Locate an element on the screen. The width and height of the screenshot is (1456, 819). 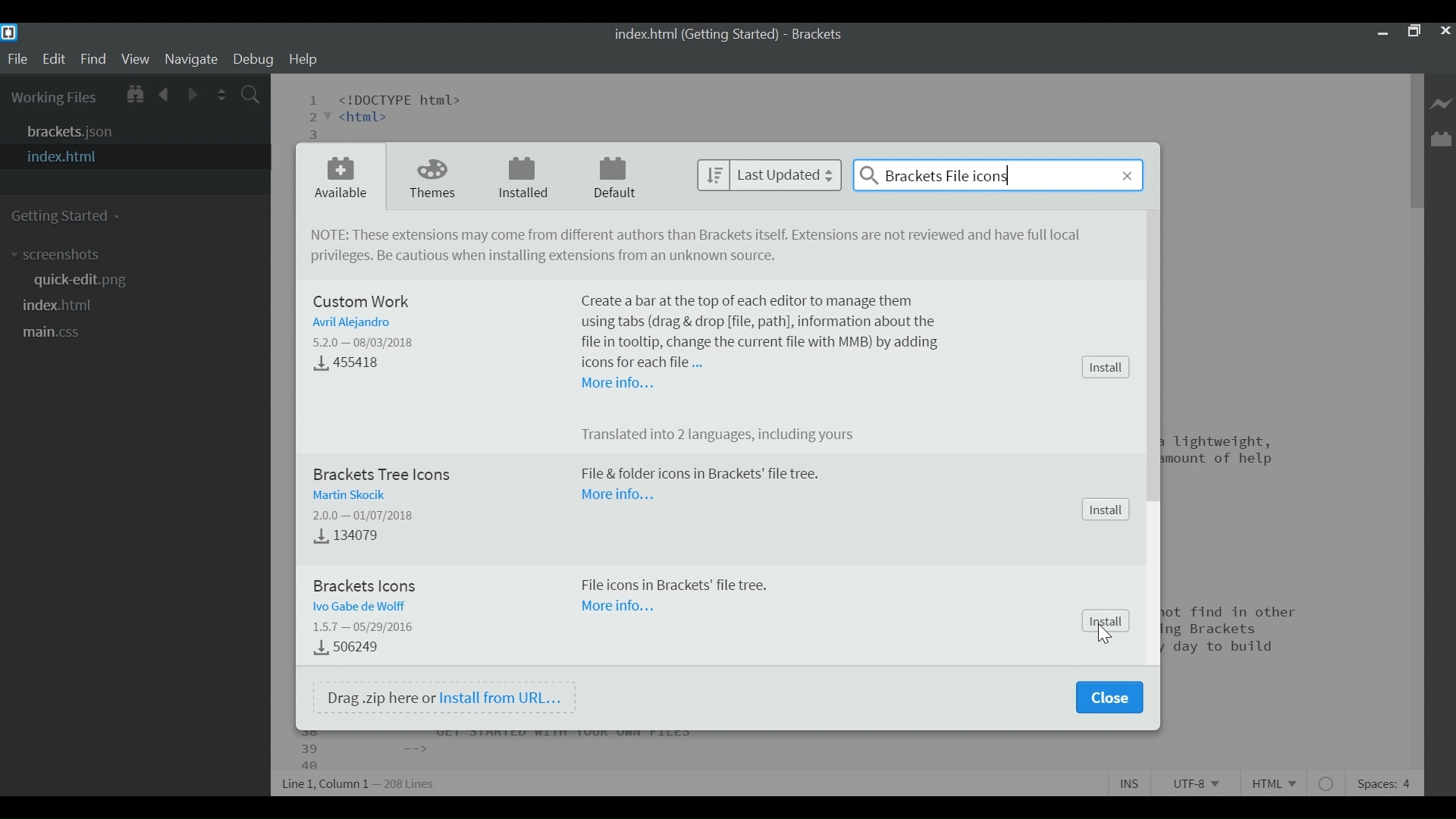
More Information is located at coordinates (617, 494).